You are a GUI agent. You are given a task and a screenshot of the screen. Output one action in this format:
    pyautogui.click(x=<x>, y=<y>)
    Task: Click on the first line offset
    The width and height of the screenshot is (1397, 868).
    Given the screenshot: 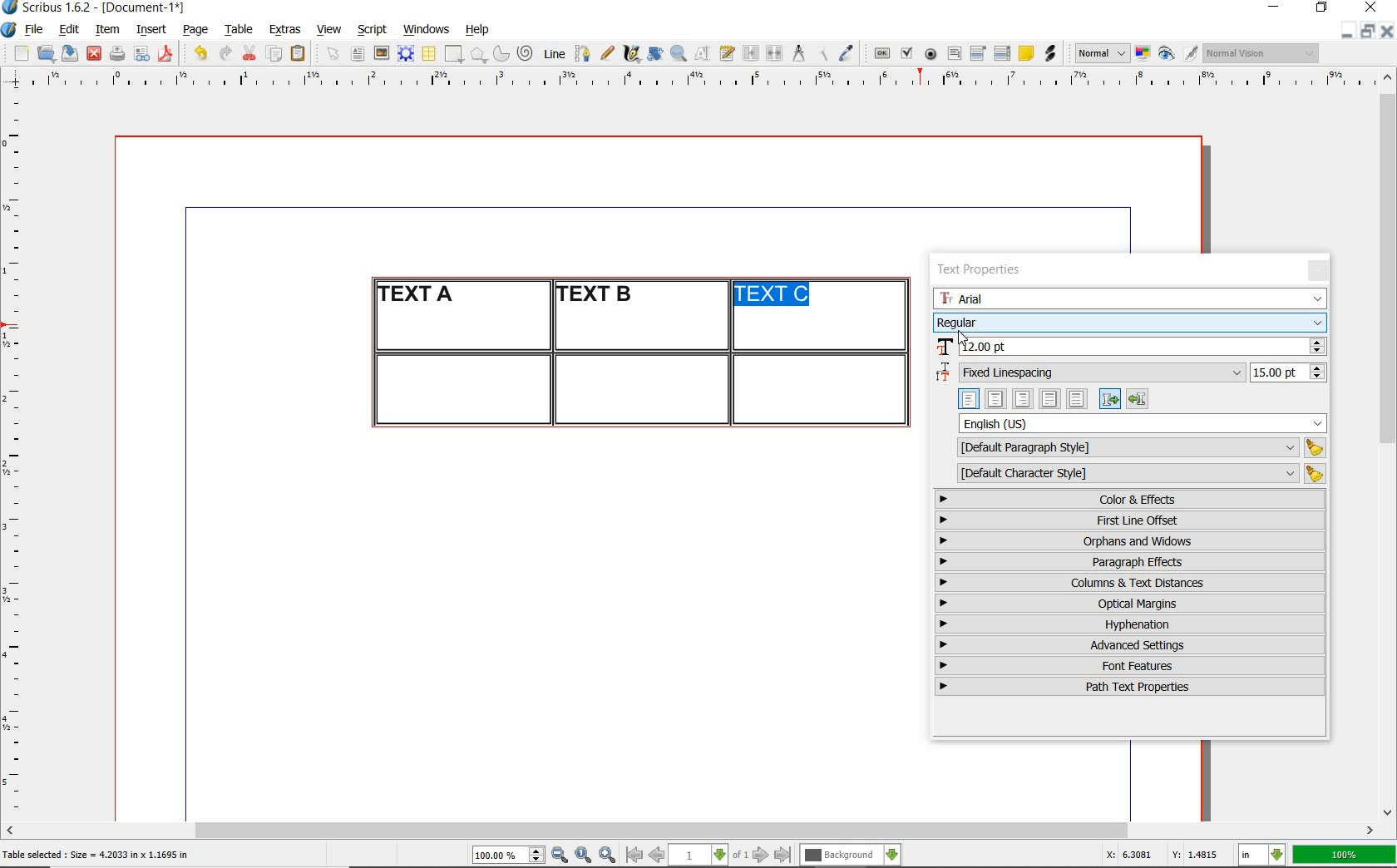 What is the action you would take?
    pyautogui.click(x=1131, y=520)
    